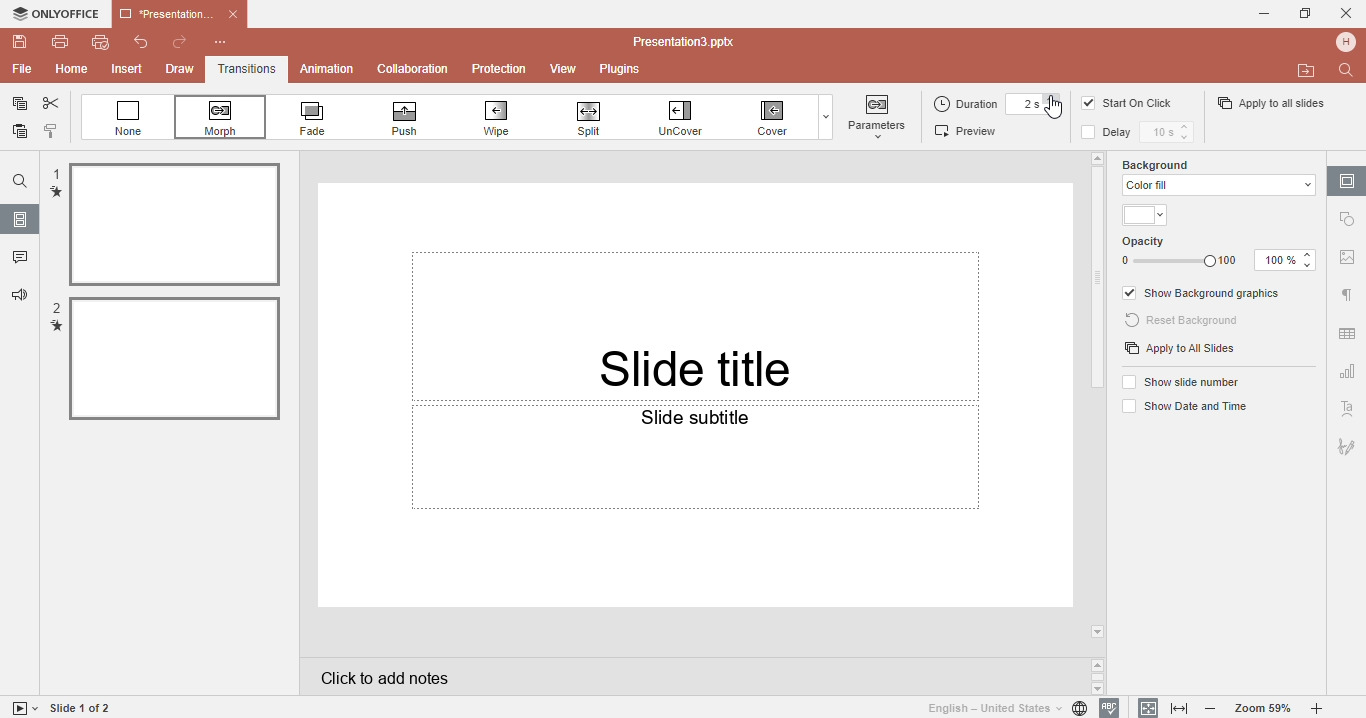 This screenshot has height=718, width=1366. Describe the element at coordinates (1099, 281) in the screenshot. I see `Scroll bar` at that location.